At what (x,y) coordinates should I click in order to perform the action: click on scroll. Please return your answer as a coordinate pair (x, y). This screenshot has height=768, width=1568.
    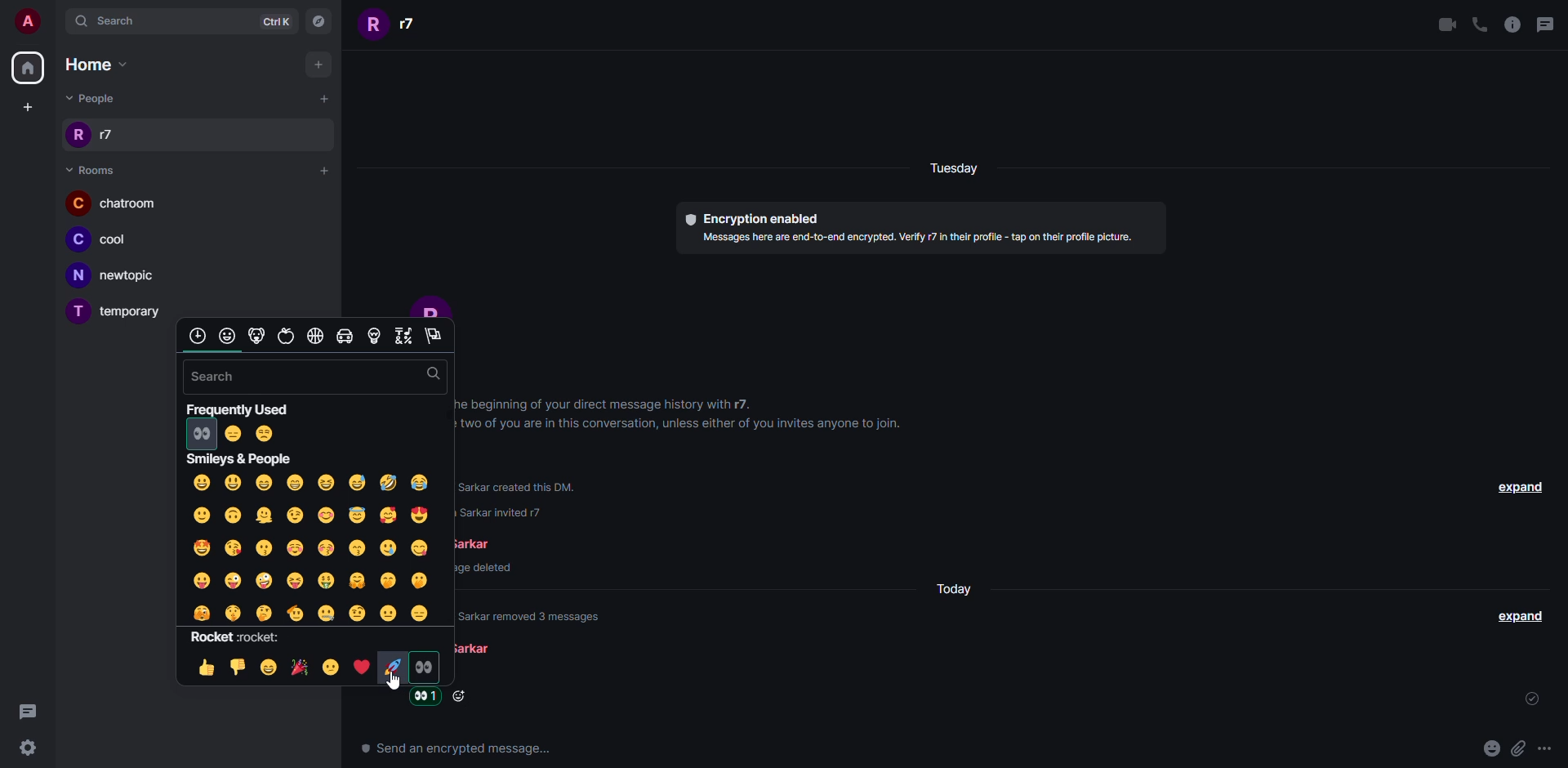
    Looking at the image, I should click on (215, 353).